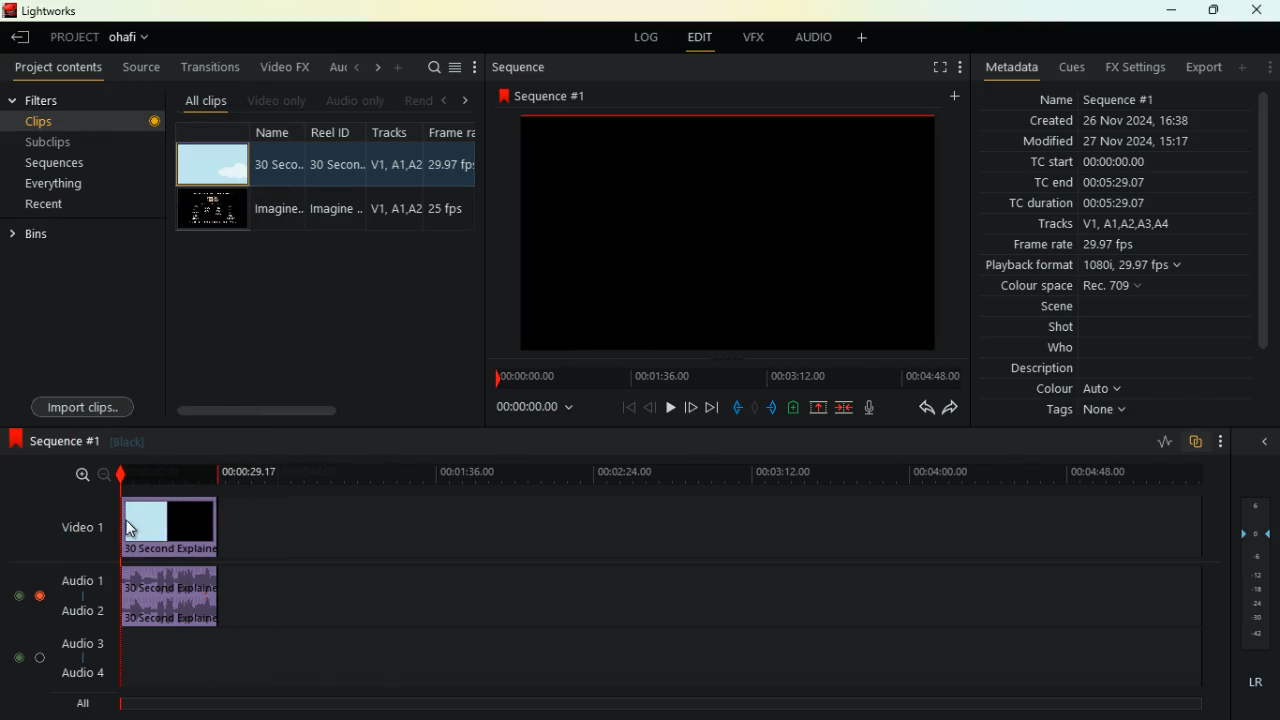 Image resolution: width=1280 pixels, height=720 pixels. I want to click on name, so click(282, 178).